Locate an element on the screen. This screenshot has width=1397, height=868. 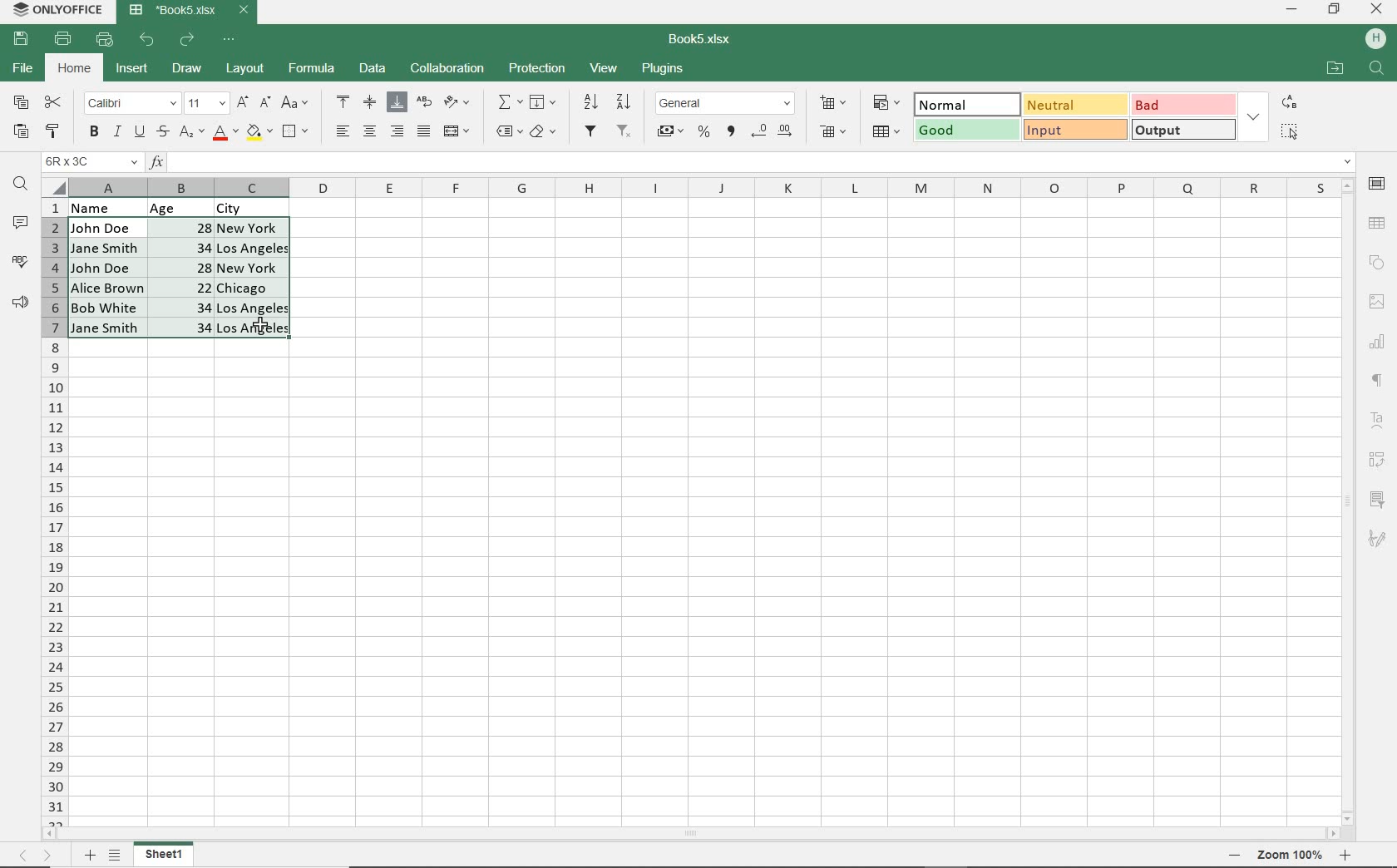
OPEN FILE LOCATION is located at coordinates (1335, 70).